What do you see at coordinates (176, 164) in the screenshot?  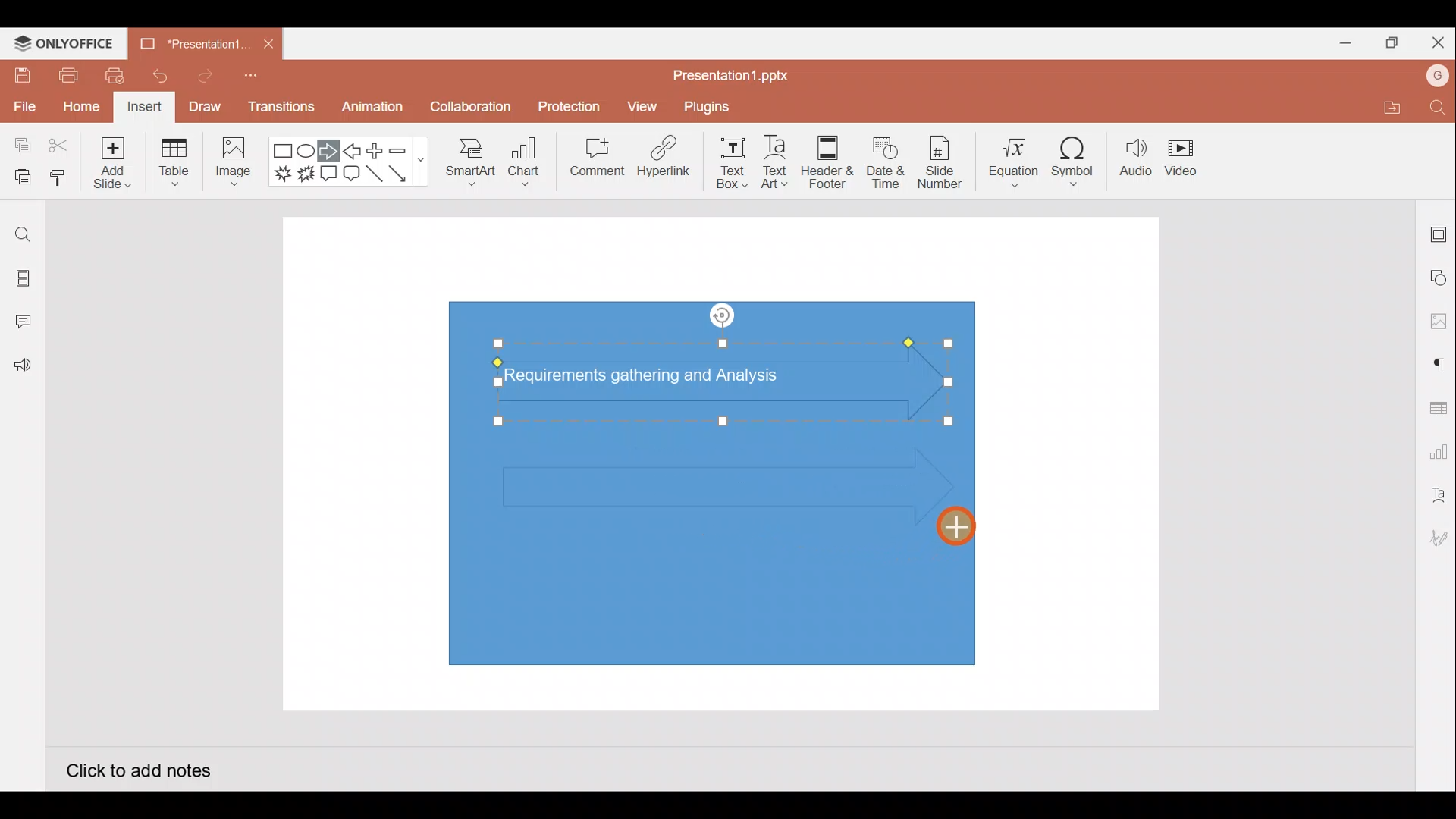 I see `Table` at bounding box center [176, 164].